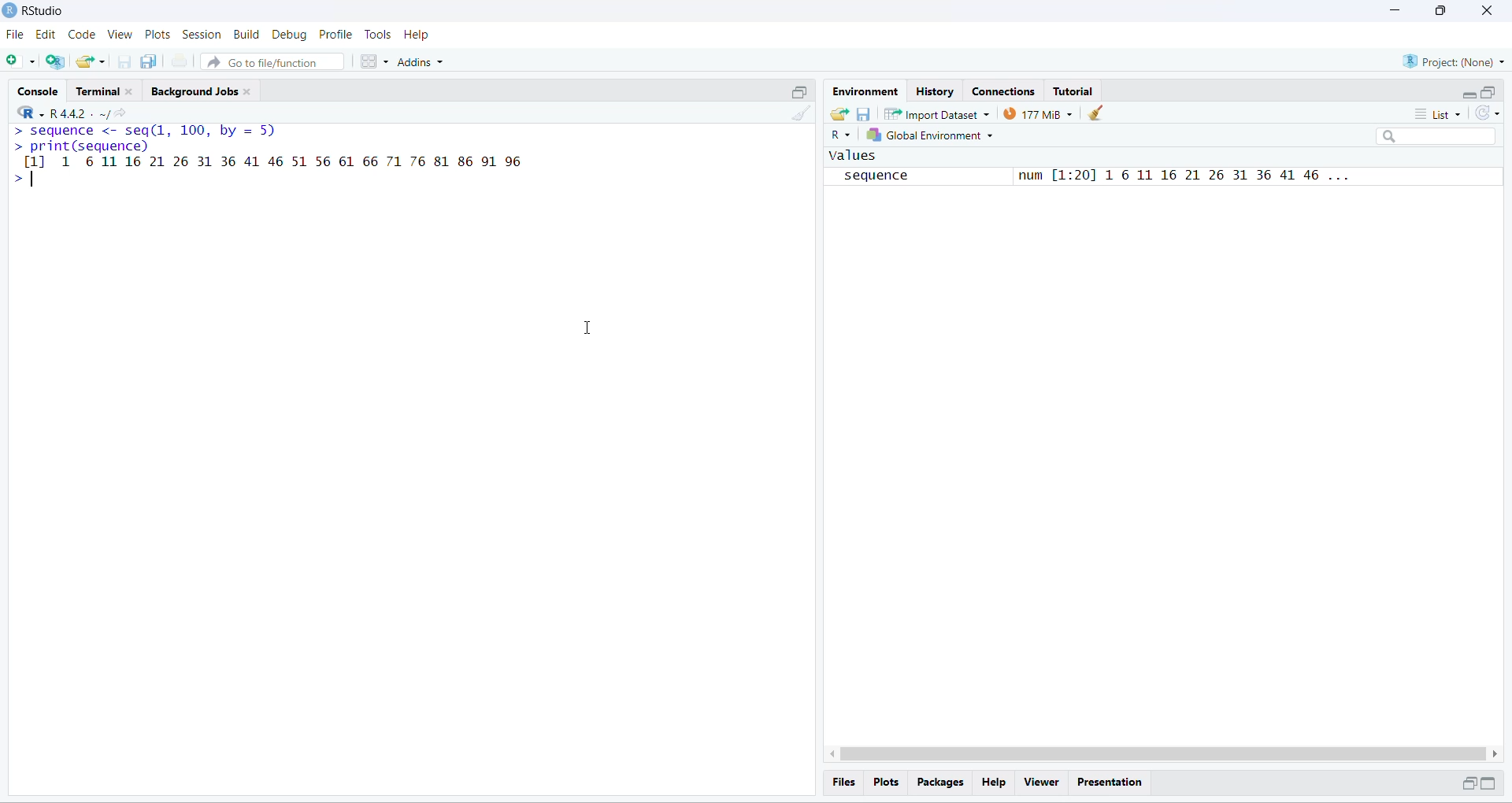  Describe the element at coordinates (1043, 783) in the screenshot. I see `viewer` at that location.